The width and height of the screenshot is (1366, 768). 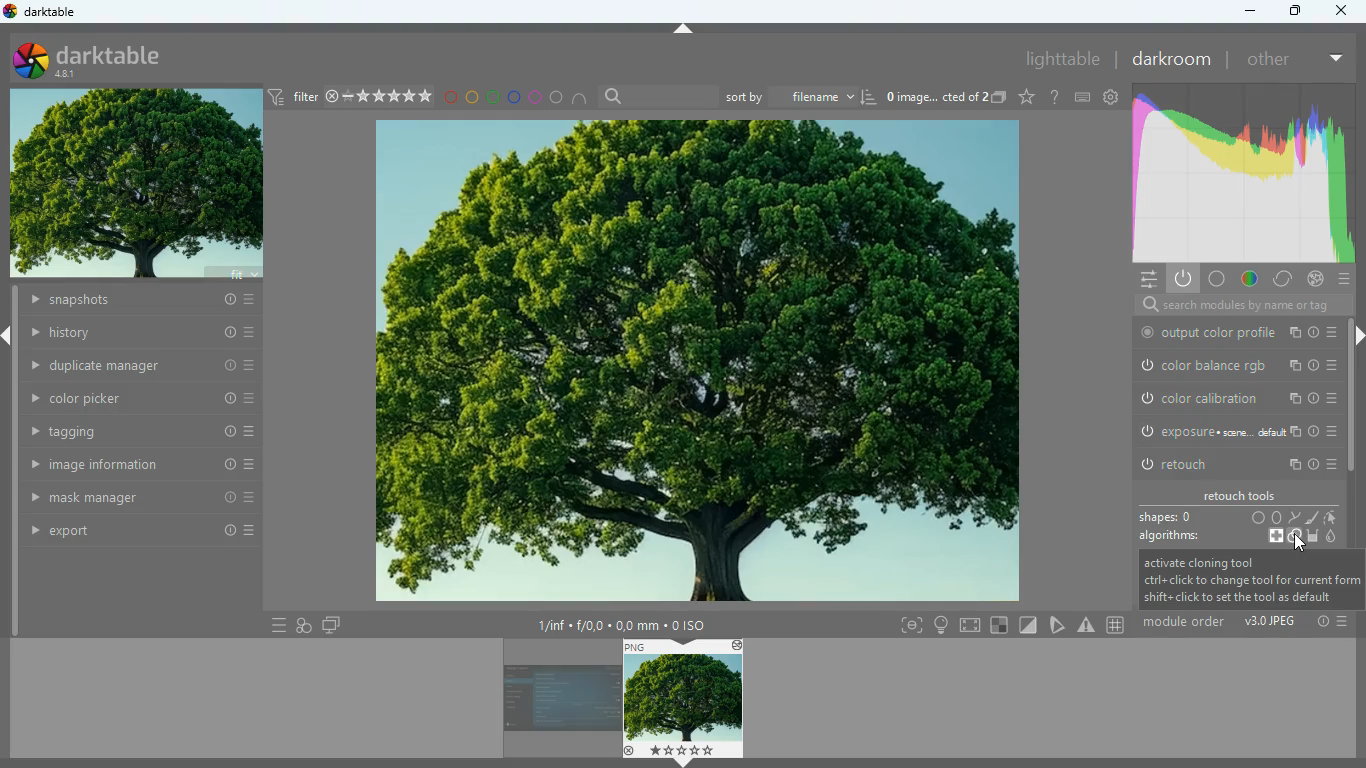 What do you see at coordinates (1248, 280) in the screenshot?
I see `color` at bounding box center [1248, 280].